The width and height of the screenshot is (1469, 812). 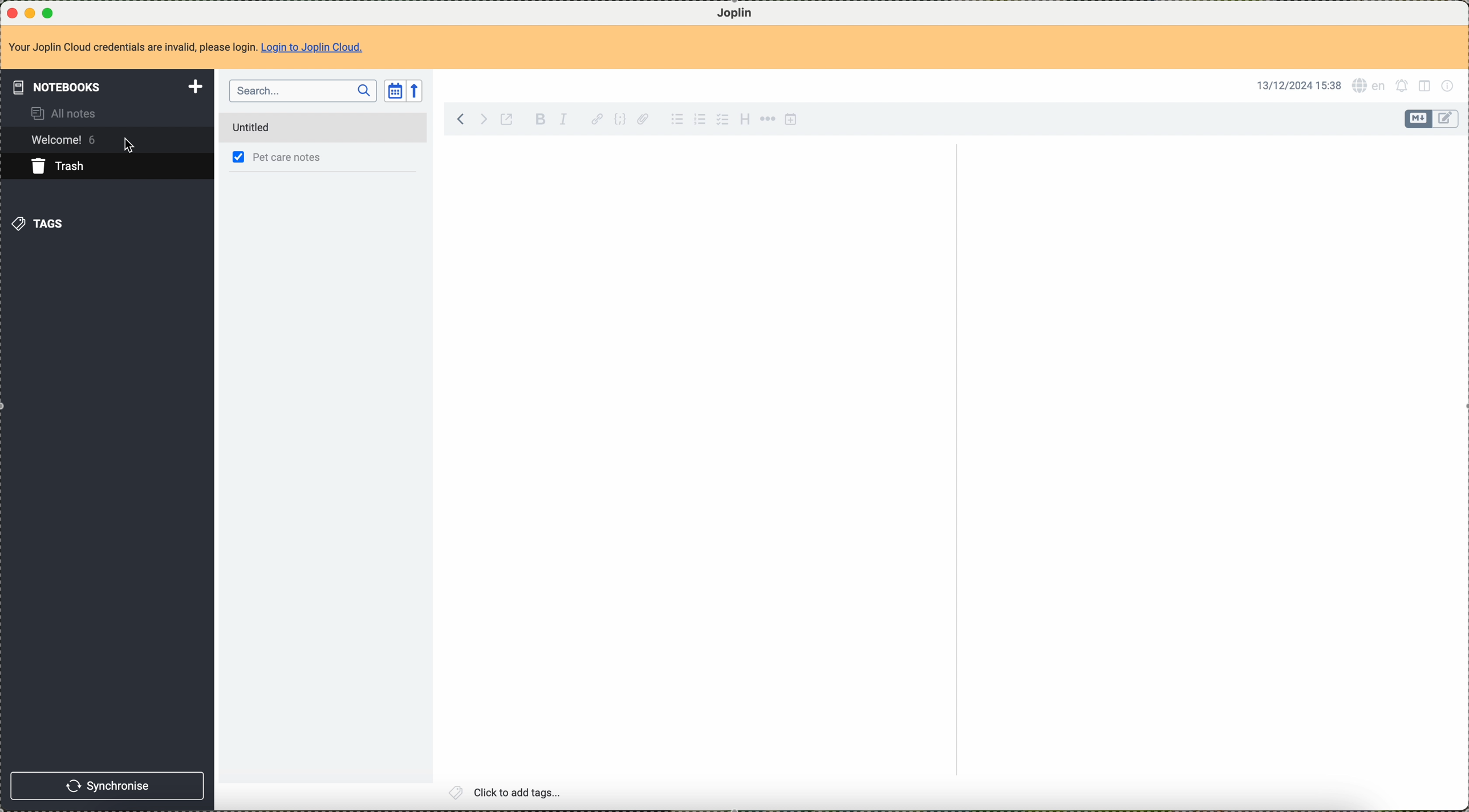 I want to click on welcome, so click(x=68, y=140).